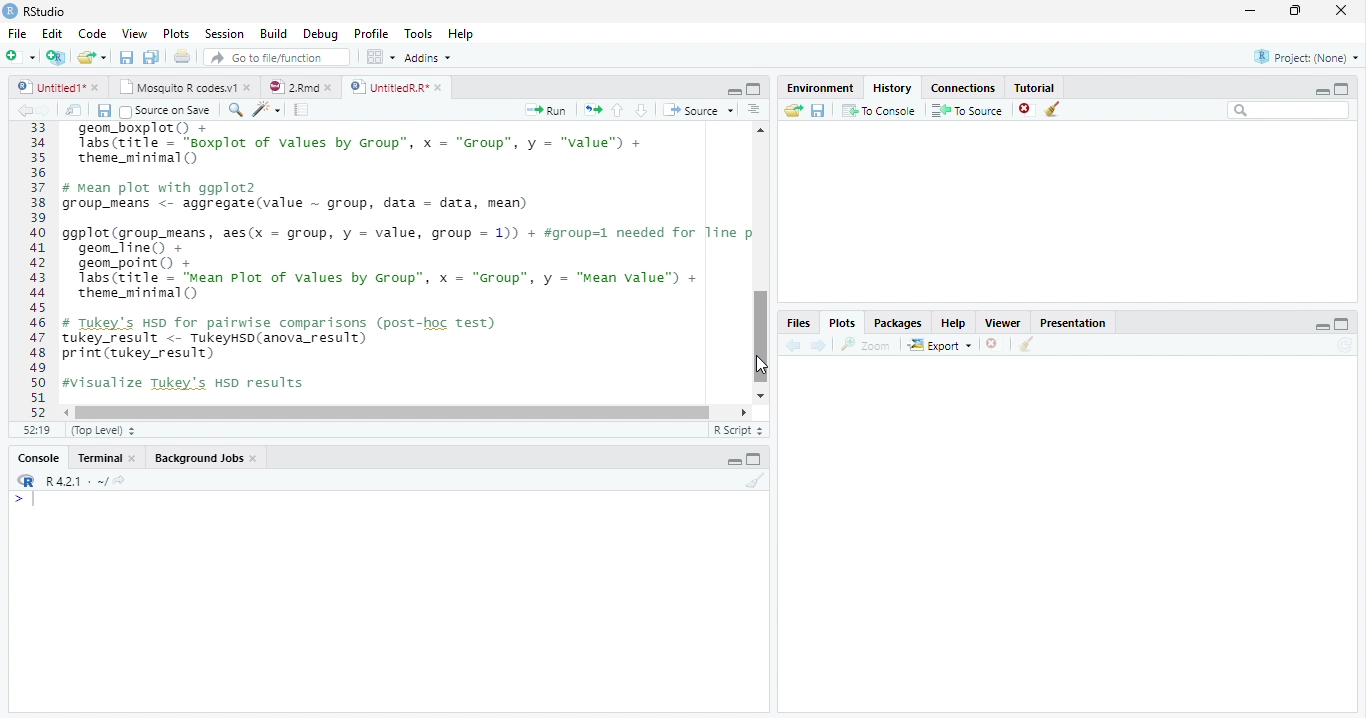  What do you see at coordinates (1051, 106) in the screenshot?
I see `Clear objects from the workspace` at bounding box center [1051, 106].